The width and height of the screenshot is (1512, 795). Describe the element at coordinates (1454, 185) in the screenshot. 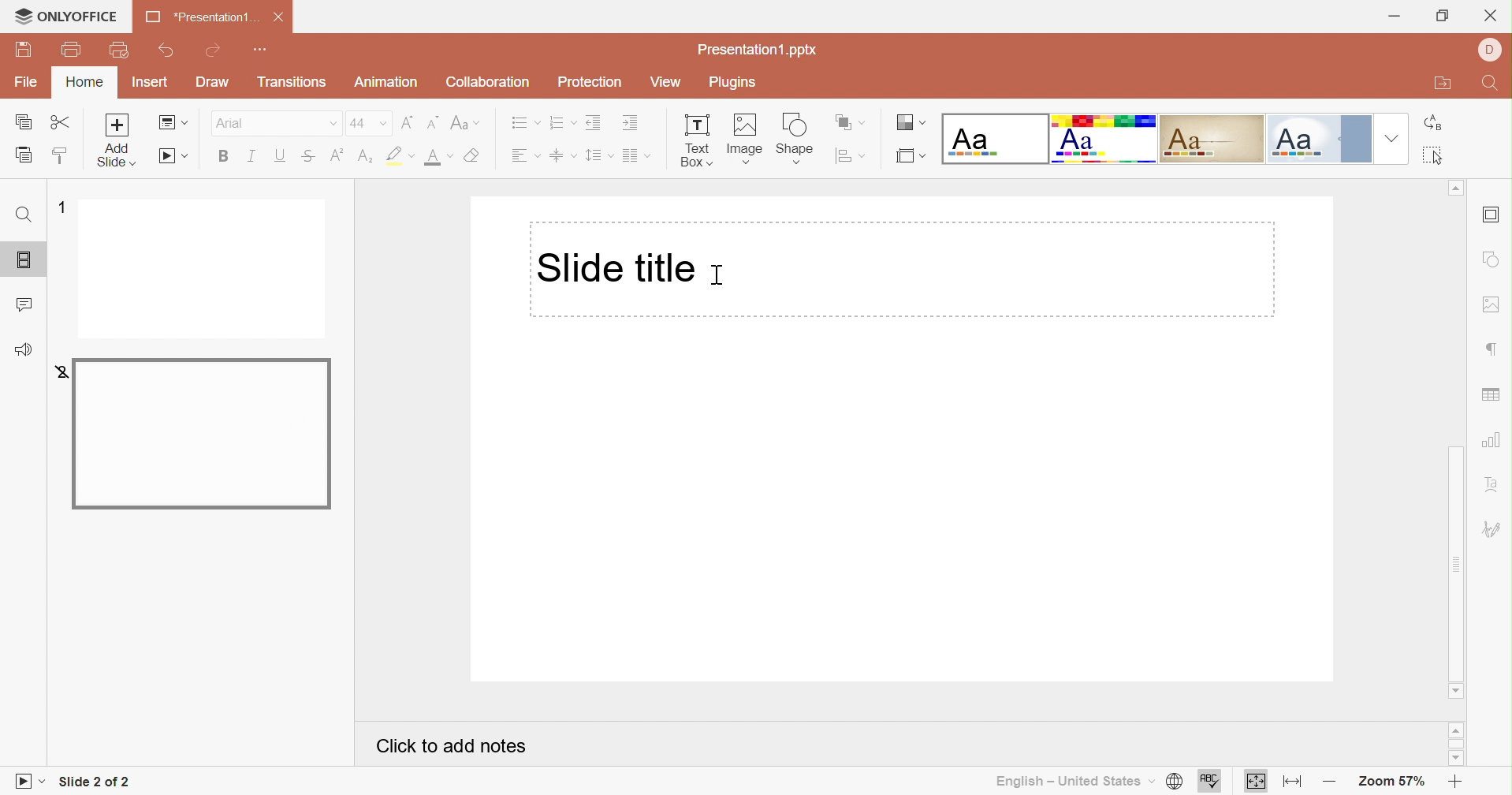

I see `Scroll up` at that location.